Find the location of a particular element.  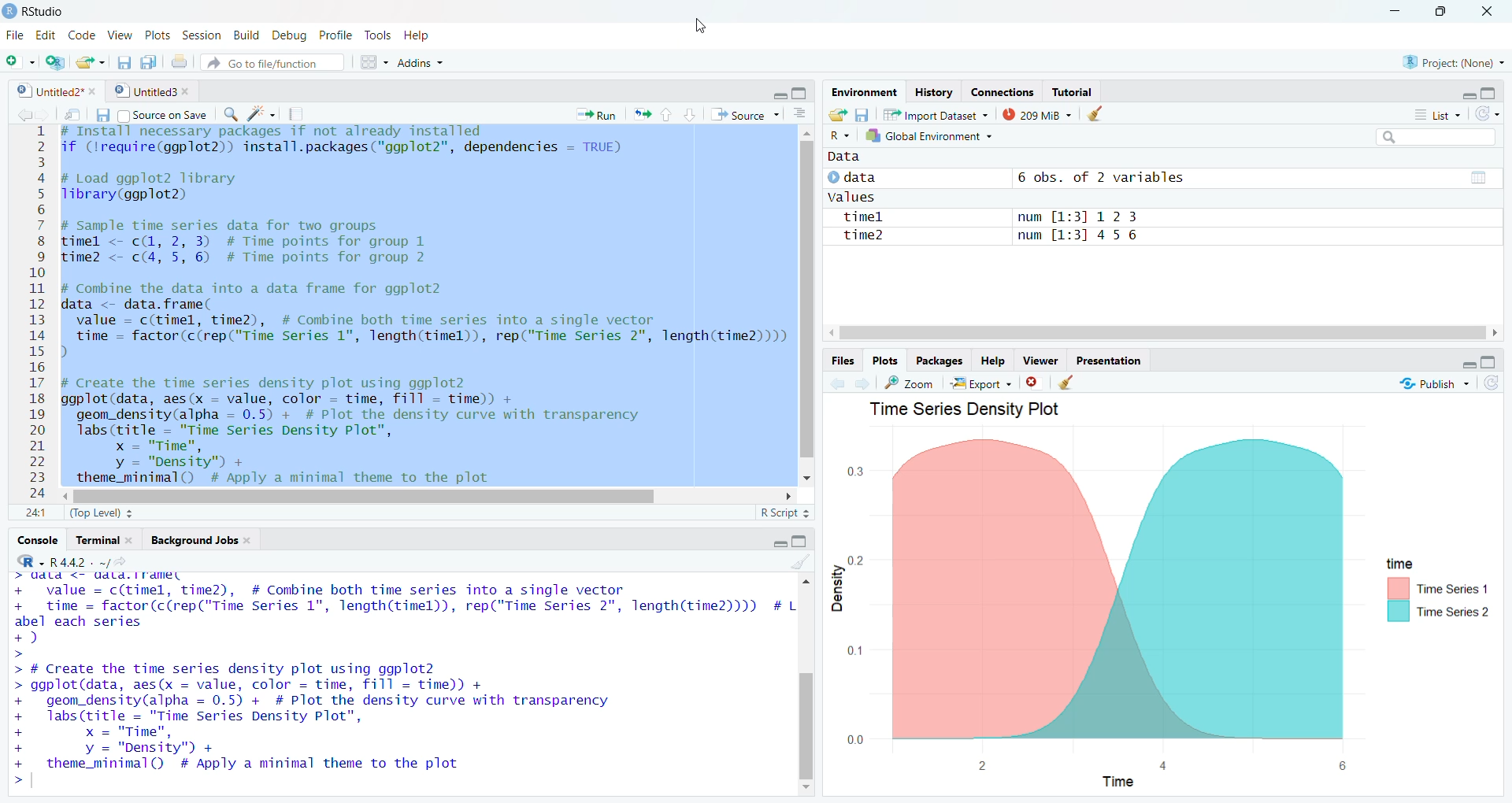

Refresh is located at coordinates (1488, 115).